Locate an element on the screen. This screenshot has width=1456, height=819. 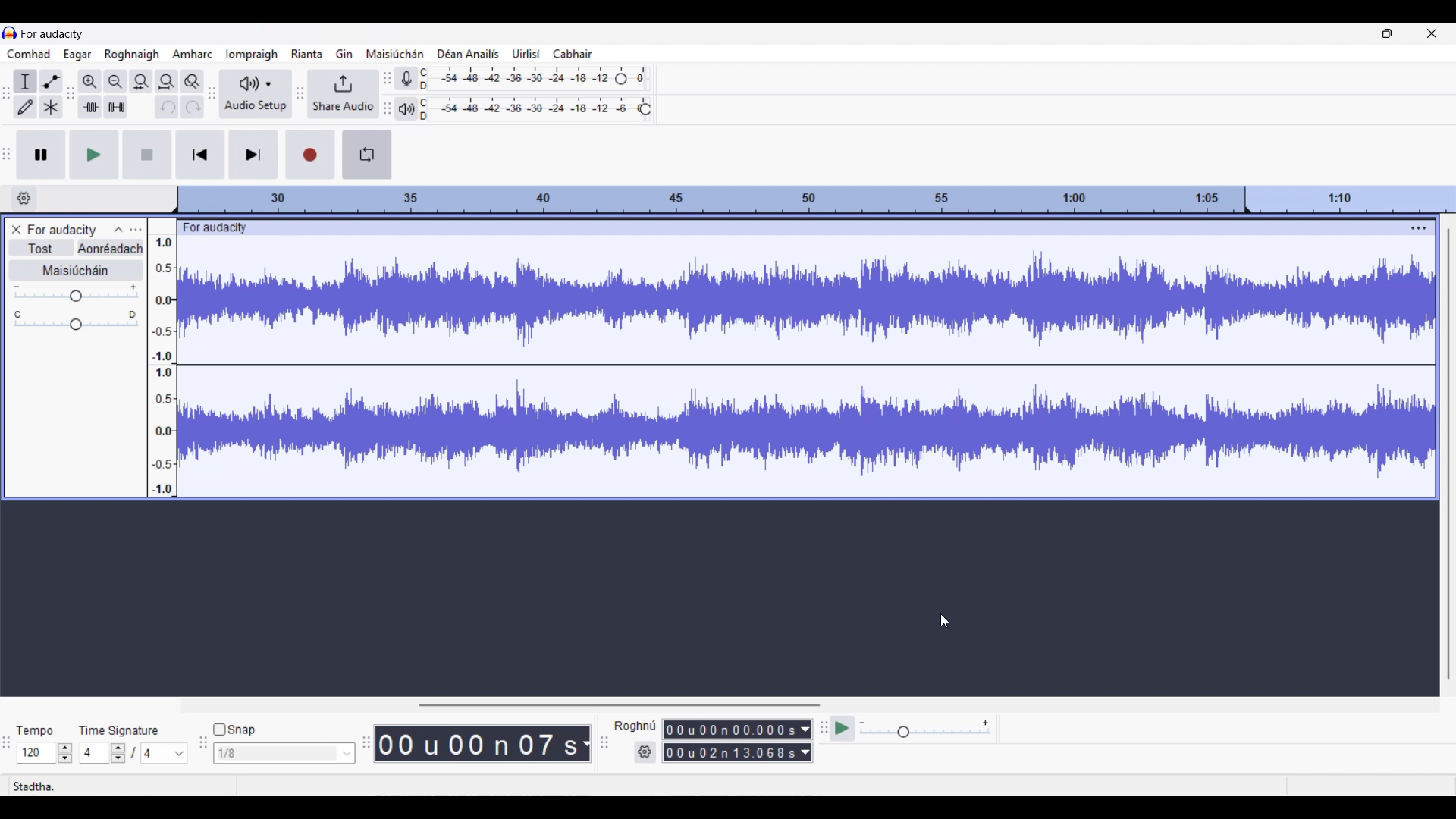
For audacity is located at coordinates (58, 33).